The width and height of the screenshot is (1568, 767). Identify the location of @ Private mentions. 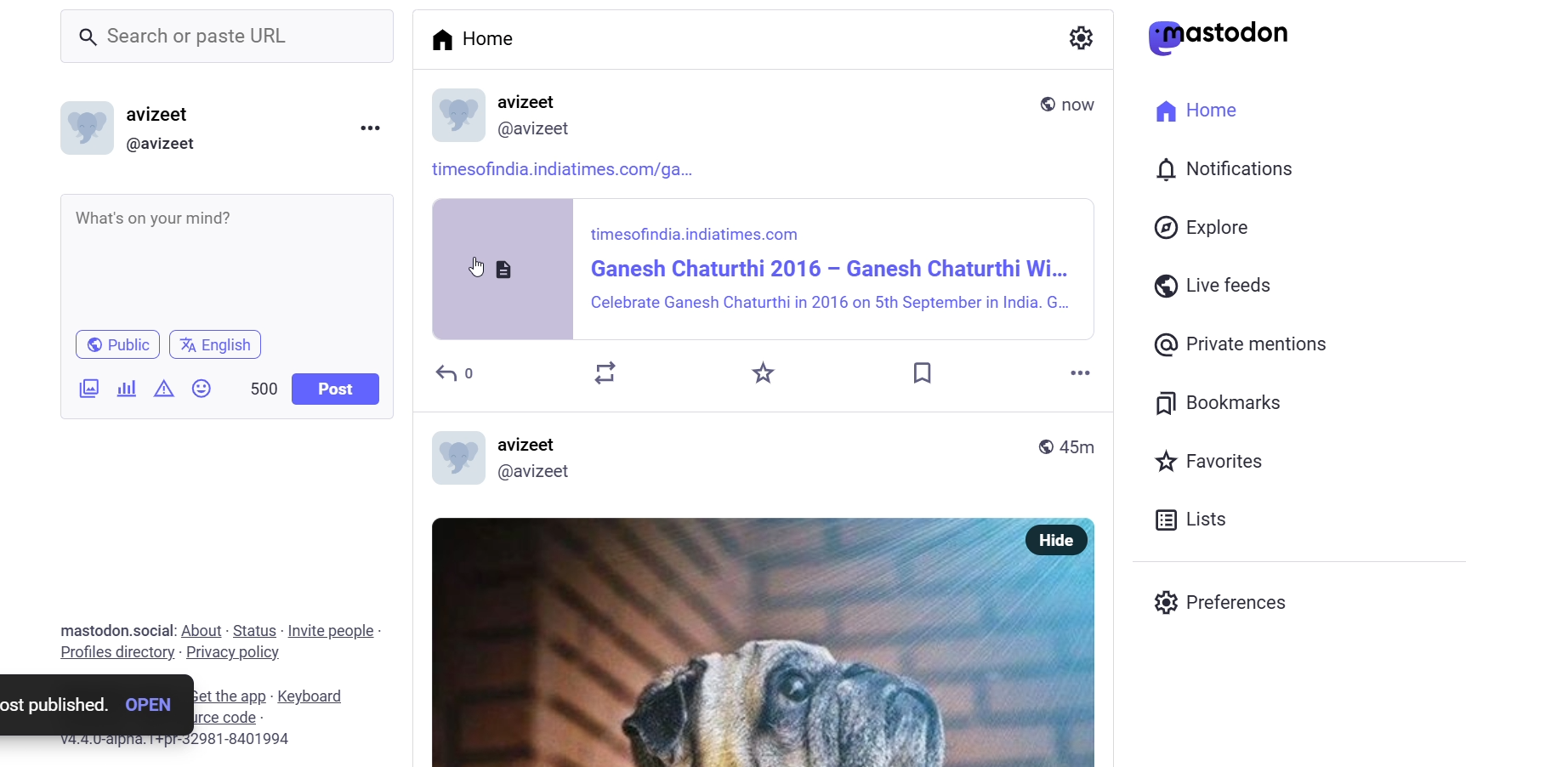
(1241, 345).